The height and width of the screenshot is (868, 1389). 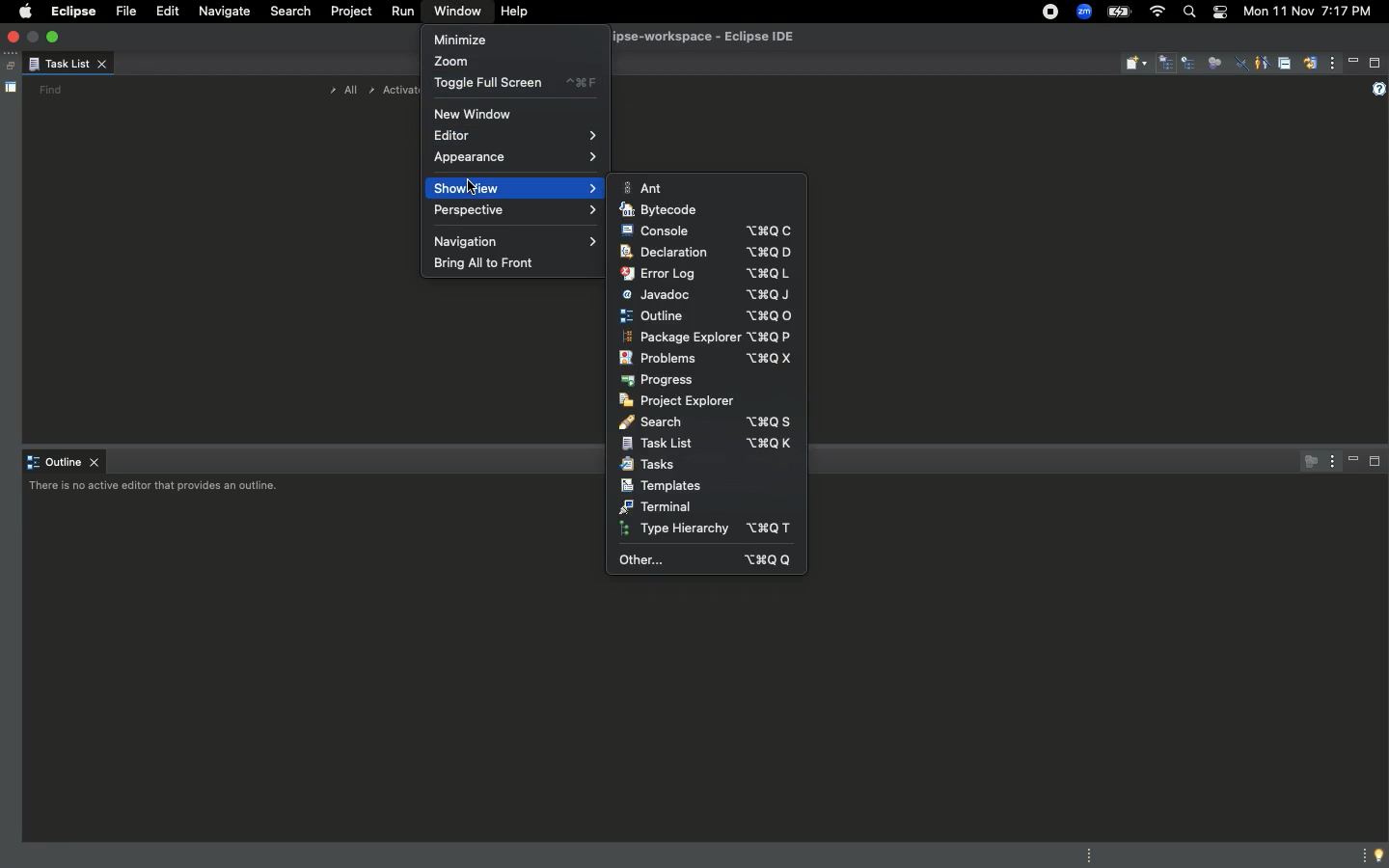 I want to click on Project, so click(x=348, y=14).